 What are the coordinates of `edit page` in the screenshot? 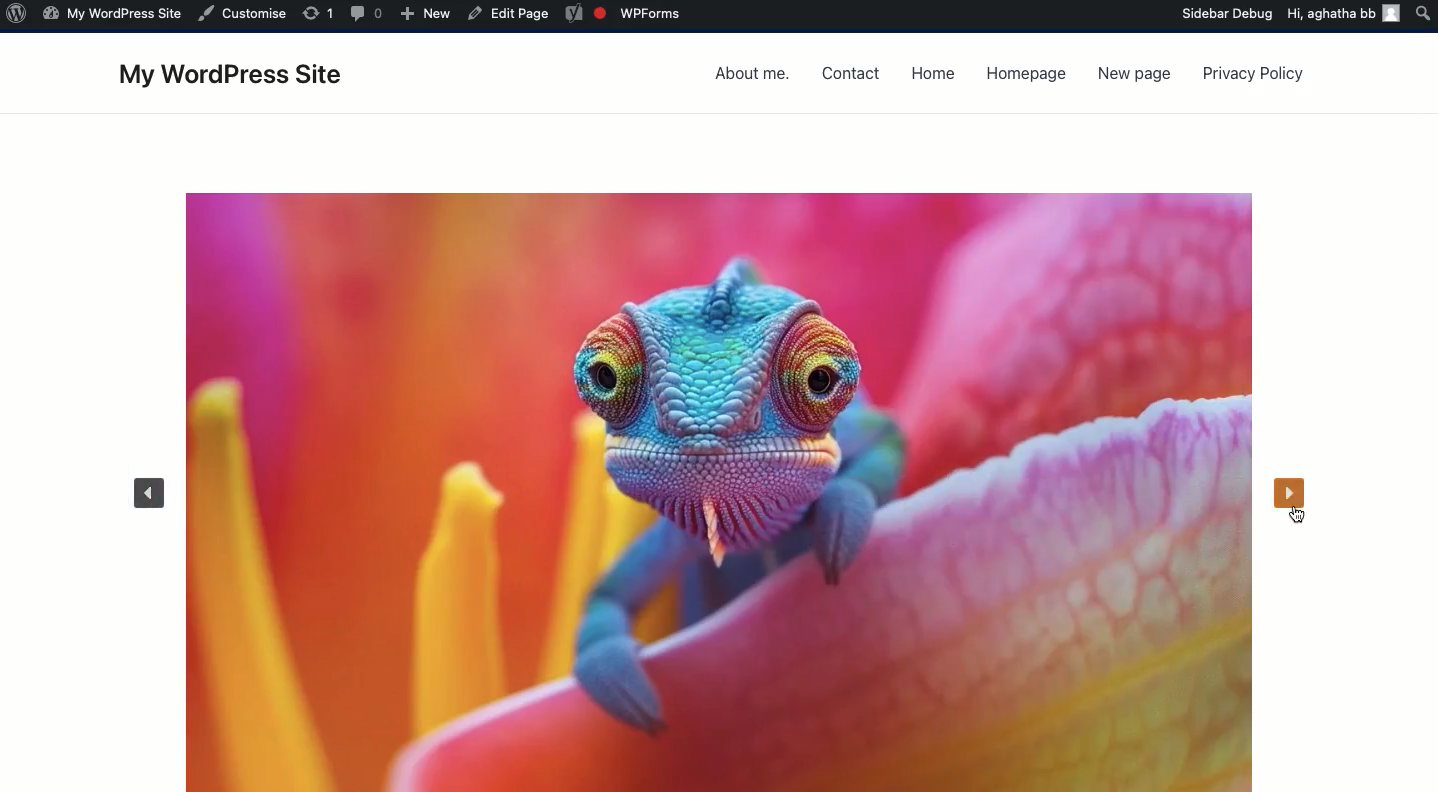 It's located at (509, 14).